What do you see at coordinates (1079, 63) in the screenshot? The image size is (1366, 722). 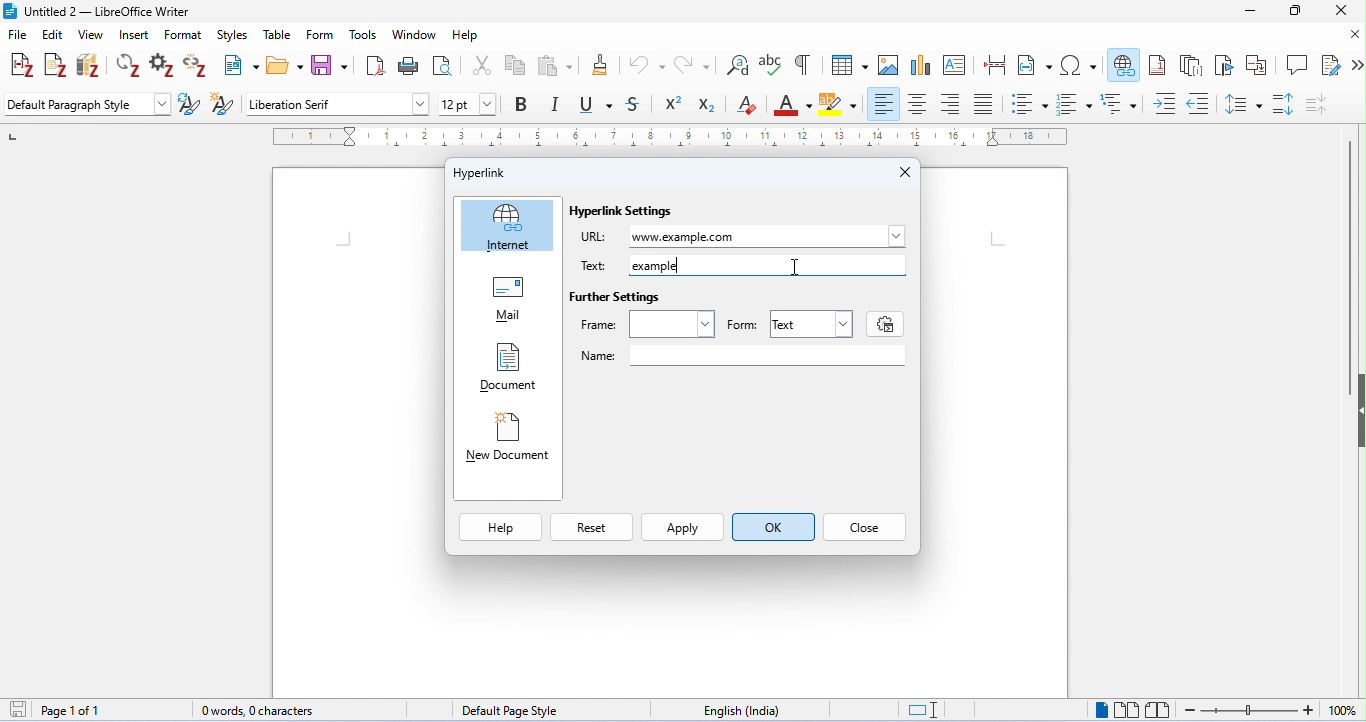 I see `insert special characters` at bounding box center [1079, 63].